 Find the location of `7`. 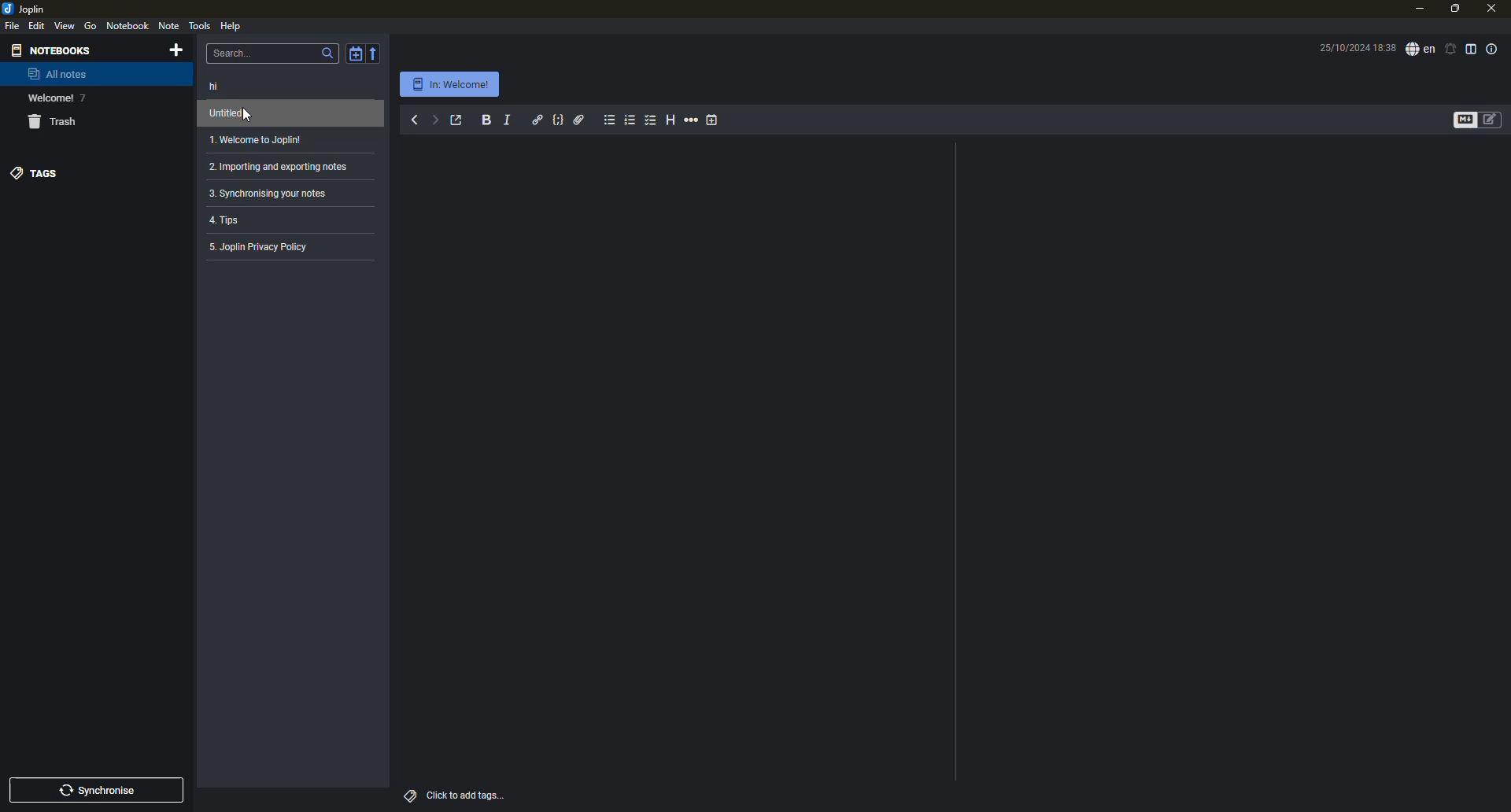

7 is located at coordinates (83, 98).